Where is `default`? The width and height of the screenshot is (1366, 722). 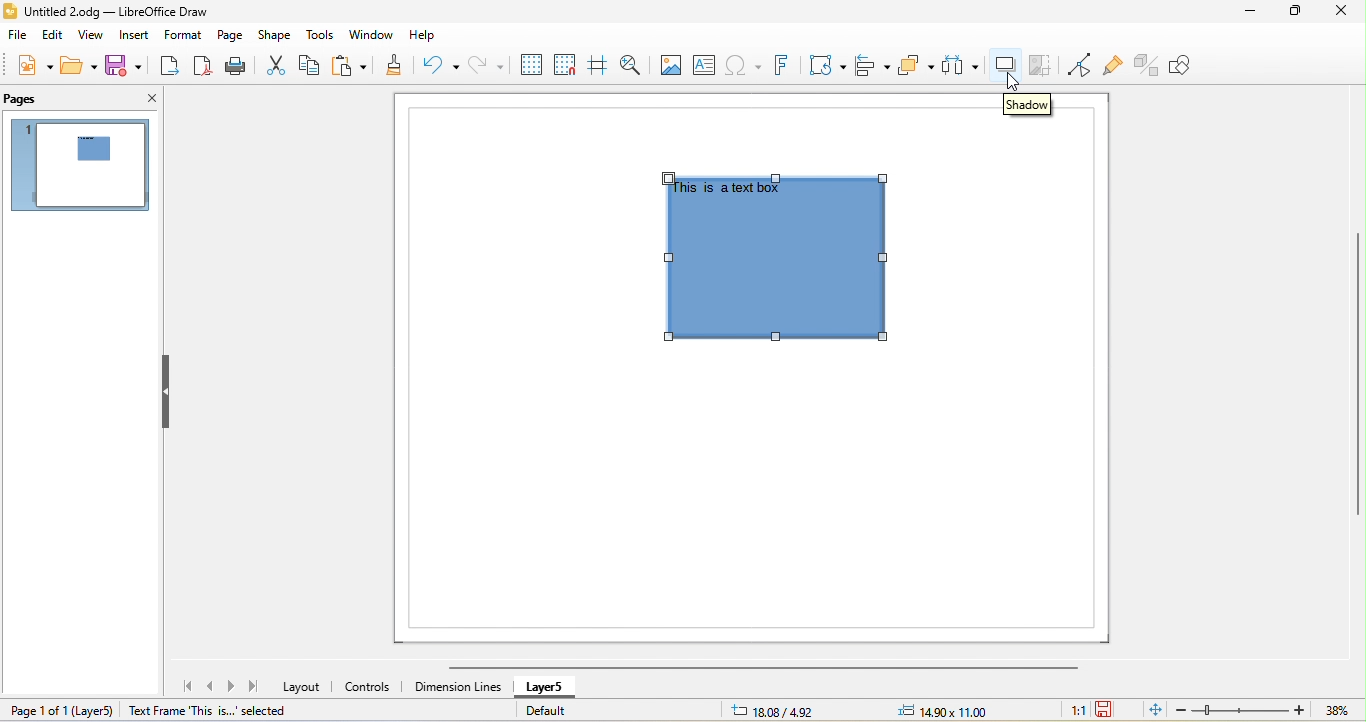 default is located at coordinates (544, 711).